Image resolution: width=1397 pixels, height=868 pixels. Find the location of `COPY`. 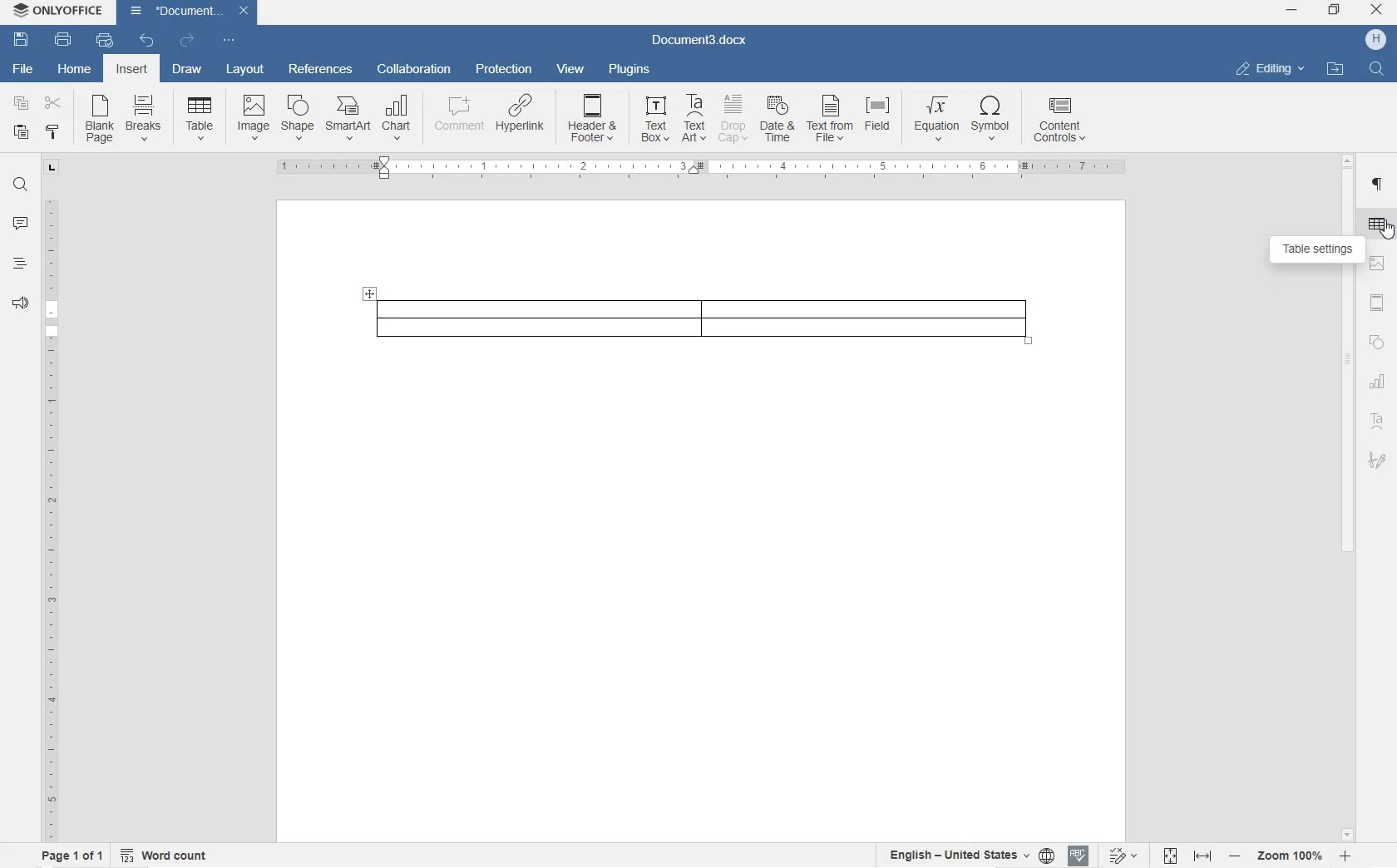

COPY is located at coordinates (19, 103).